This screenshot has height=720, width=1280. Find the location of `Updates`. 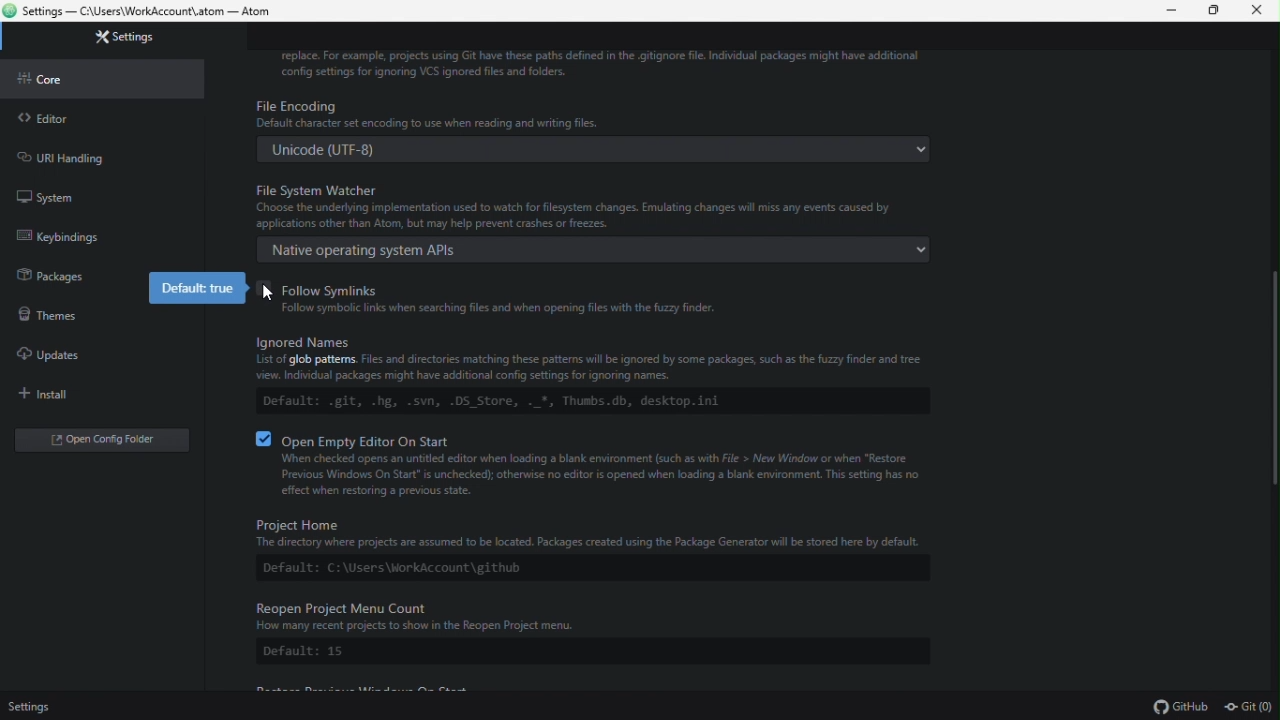

Updates is located at coordinates (94, 355).